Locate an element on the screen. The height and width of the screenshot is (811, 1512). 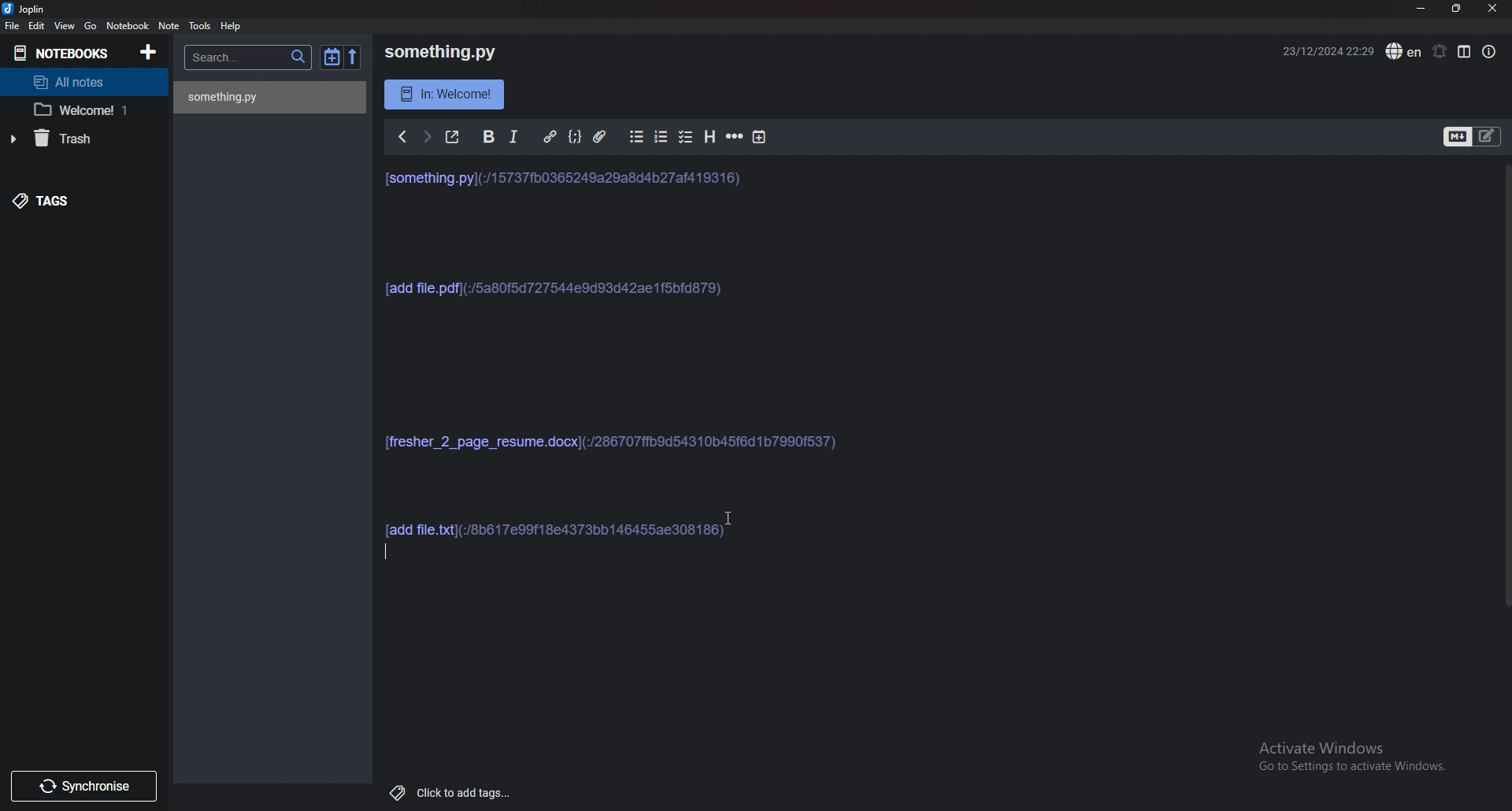
next is located at coordinates (429, 136).